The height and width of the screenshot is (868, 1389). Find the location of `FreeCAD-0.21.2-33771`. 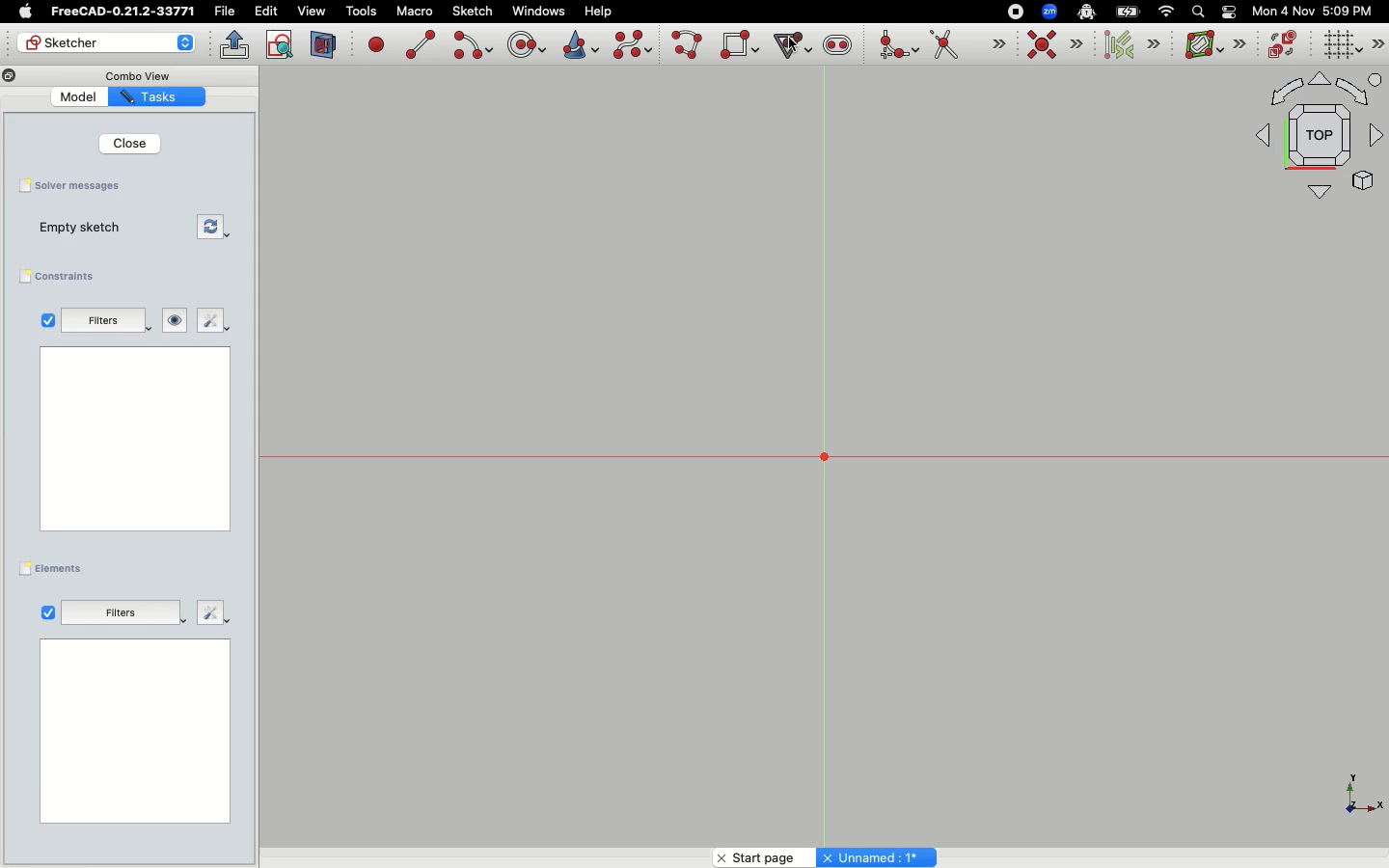

FreeCAD-0.21.2-33771 is located at coordinates (123, 12).